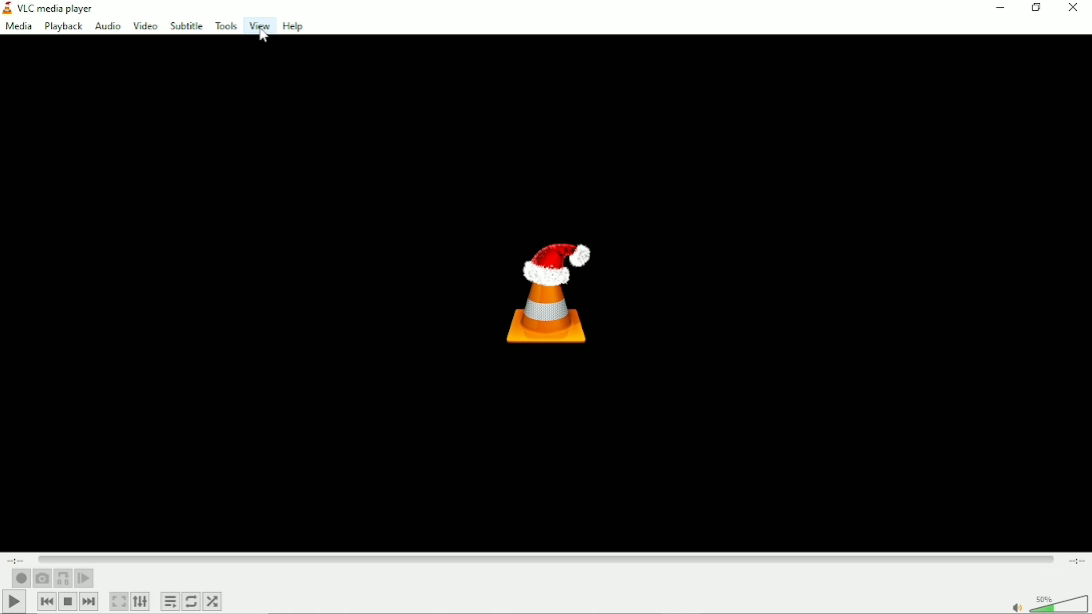 This screenshot has width=1092, height=614. Describe the element at coordinates (145, 25) in the screenshot. I see `Video` at that location.